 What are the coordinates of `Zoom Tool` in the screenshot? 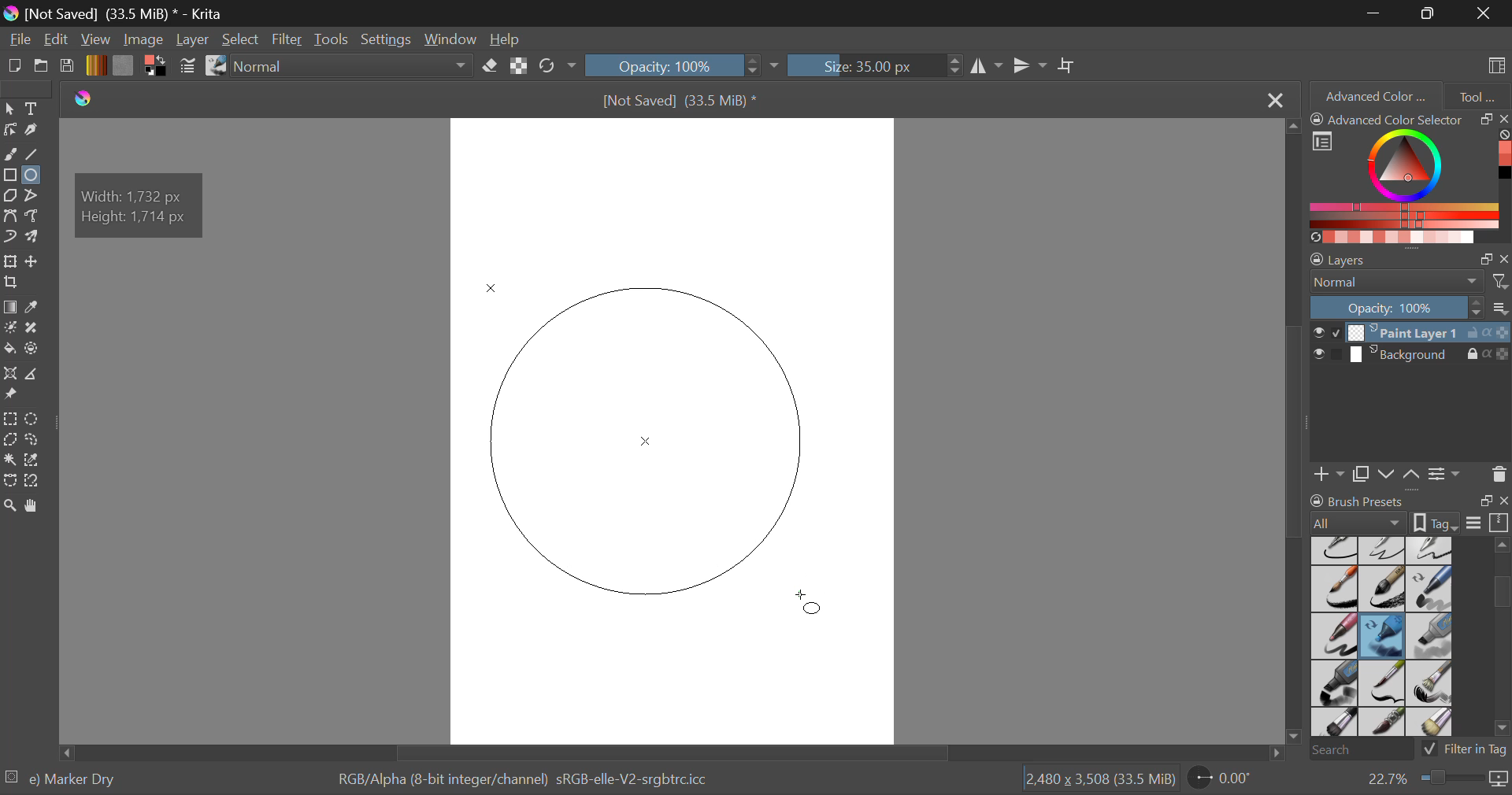 It's located at (10, 505).